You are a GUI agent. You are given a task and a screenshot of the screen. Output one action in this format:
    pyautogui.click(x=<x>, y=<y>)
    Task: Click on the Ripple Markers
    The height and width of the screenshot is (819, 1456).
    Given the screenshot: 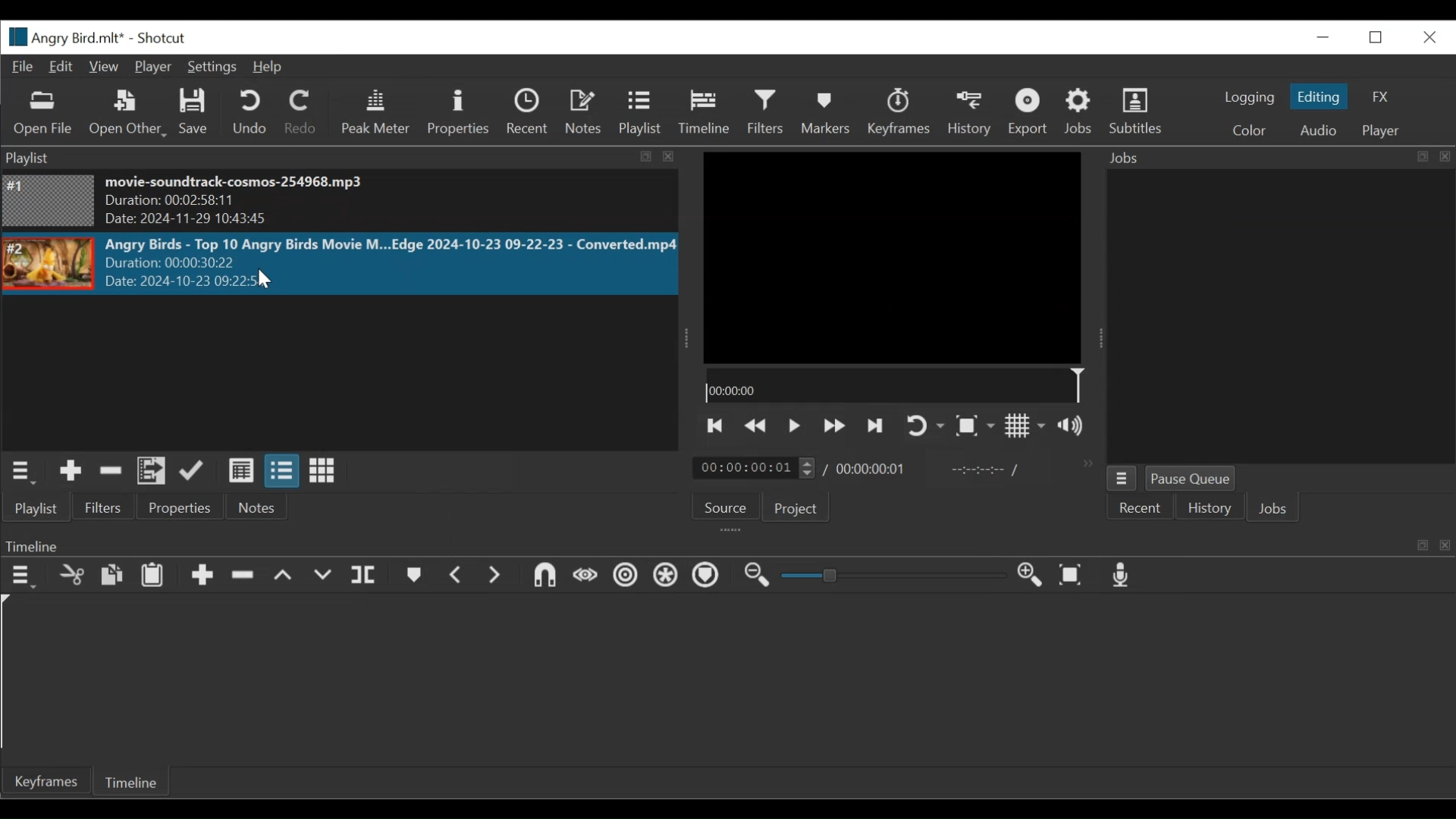 What is the action you would take?
    pyautogui.click(x=706, y=578)
    